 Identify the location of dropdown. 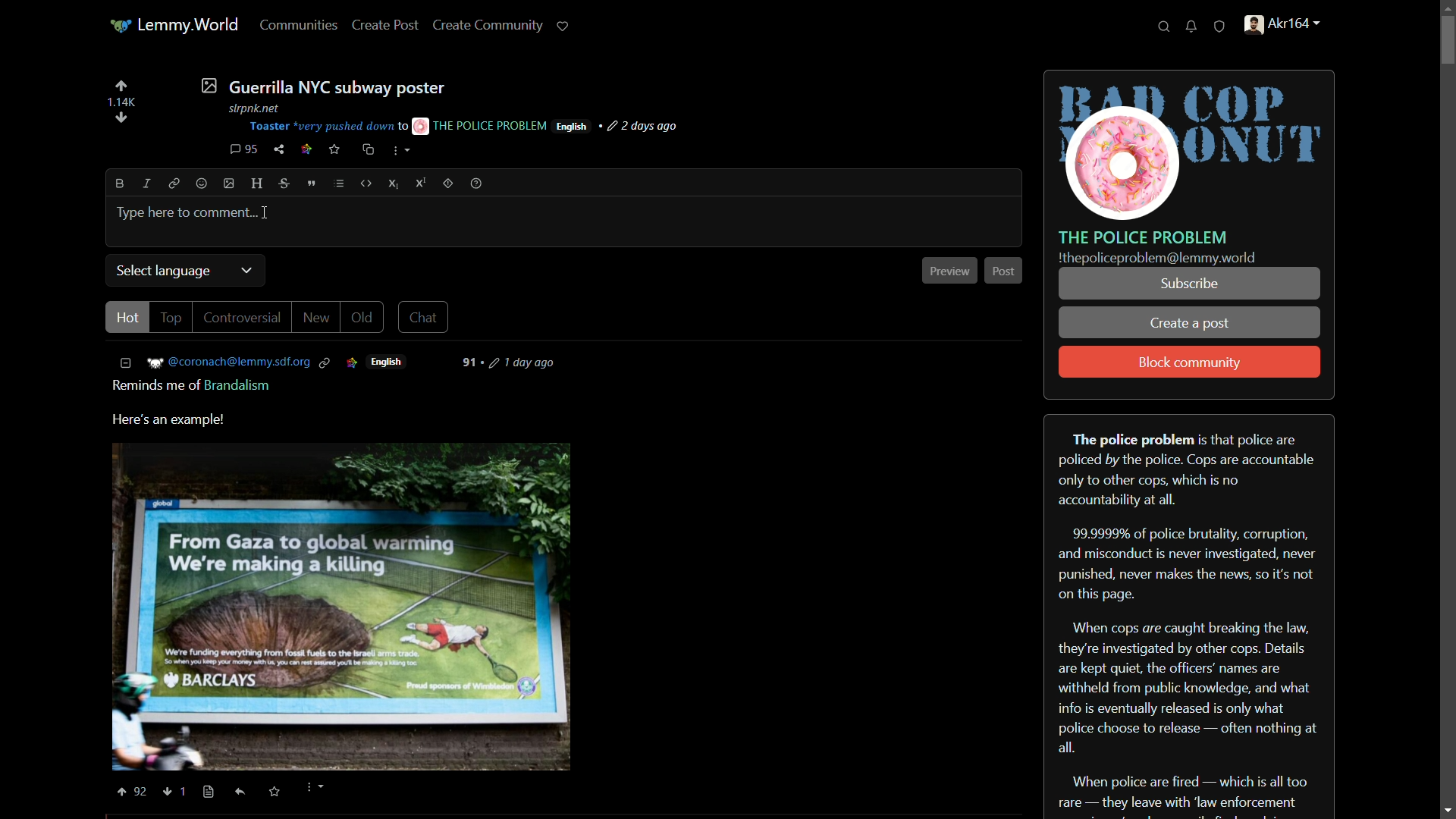
(246, 270).